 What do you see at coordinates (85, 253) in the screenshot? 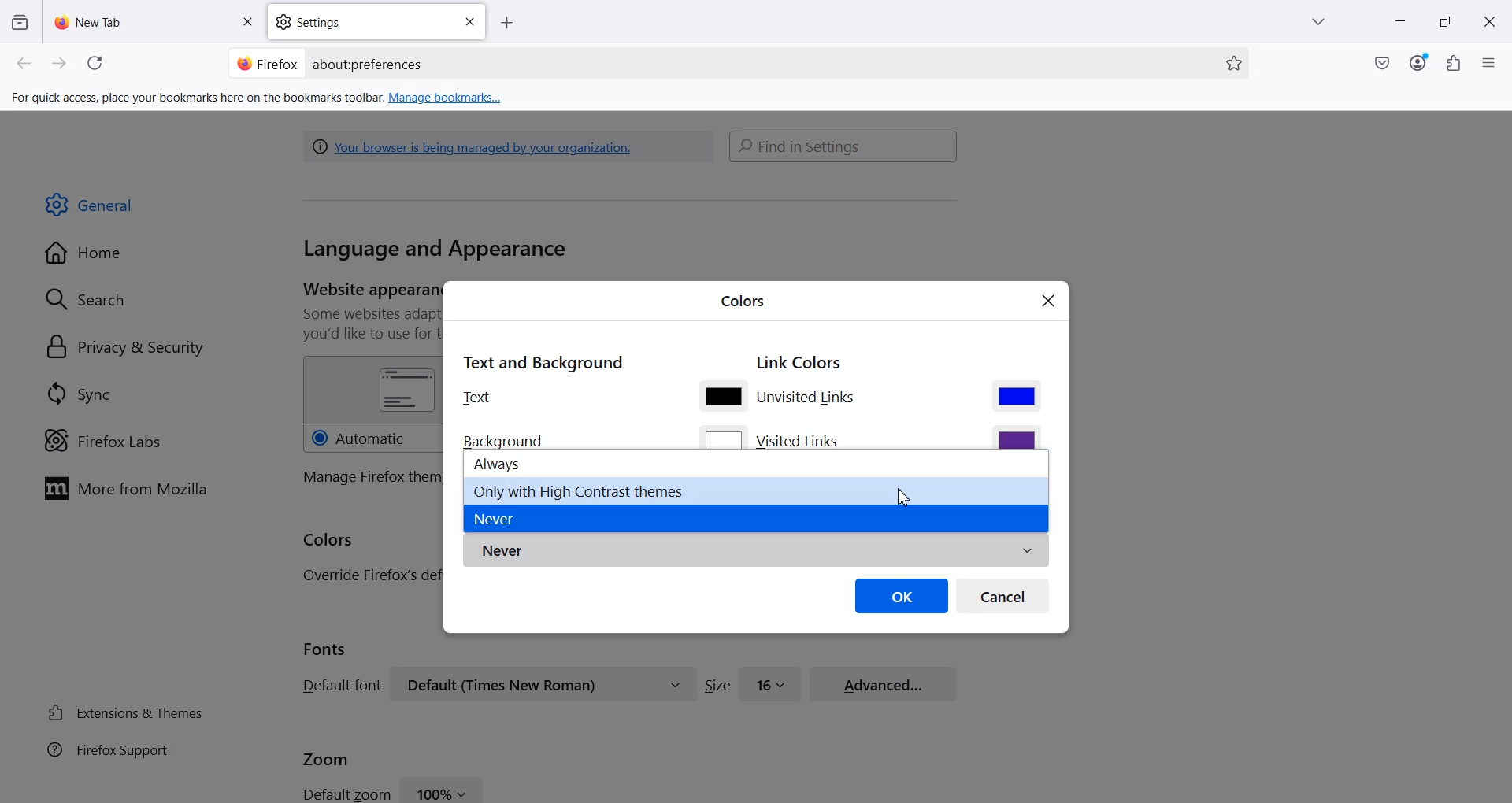
I see `o Home` at bounding box center [85, 253].